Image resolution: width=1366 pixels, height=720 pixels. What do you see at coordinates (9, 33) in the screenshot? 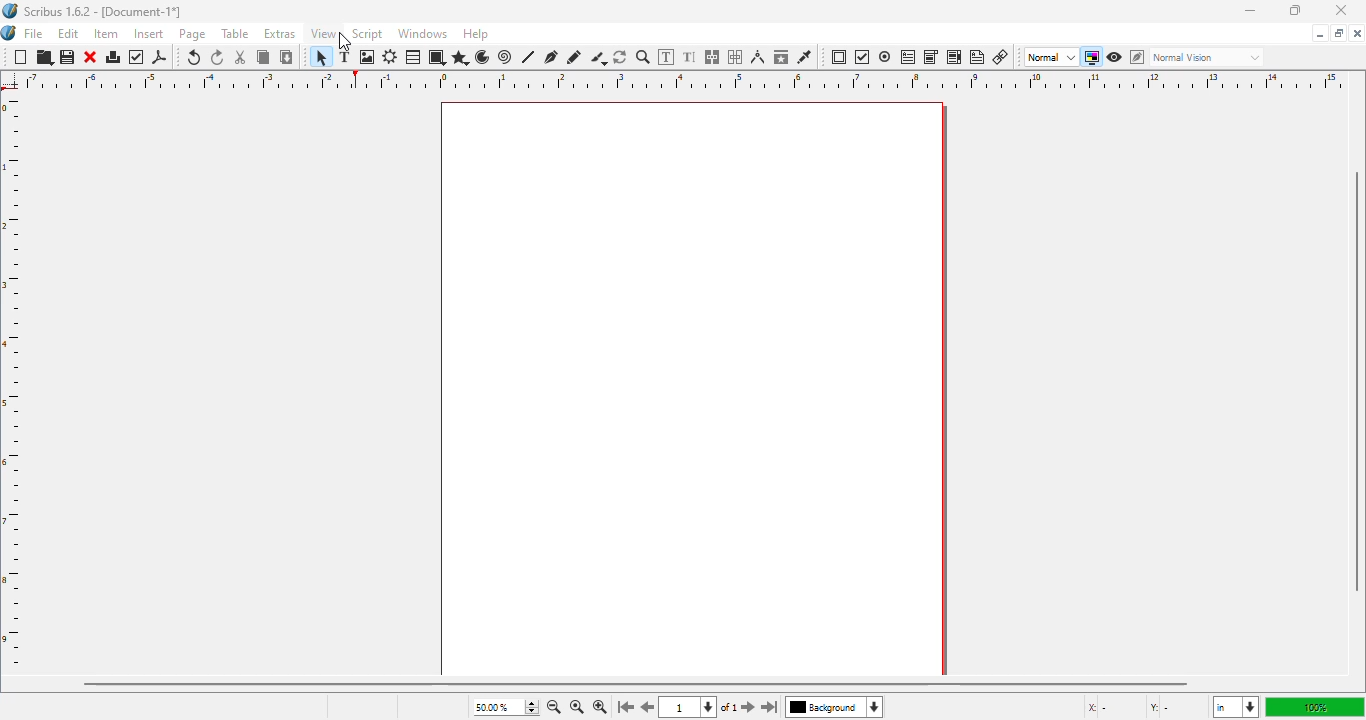
I see `logo` at bounding box center [9, 33].